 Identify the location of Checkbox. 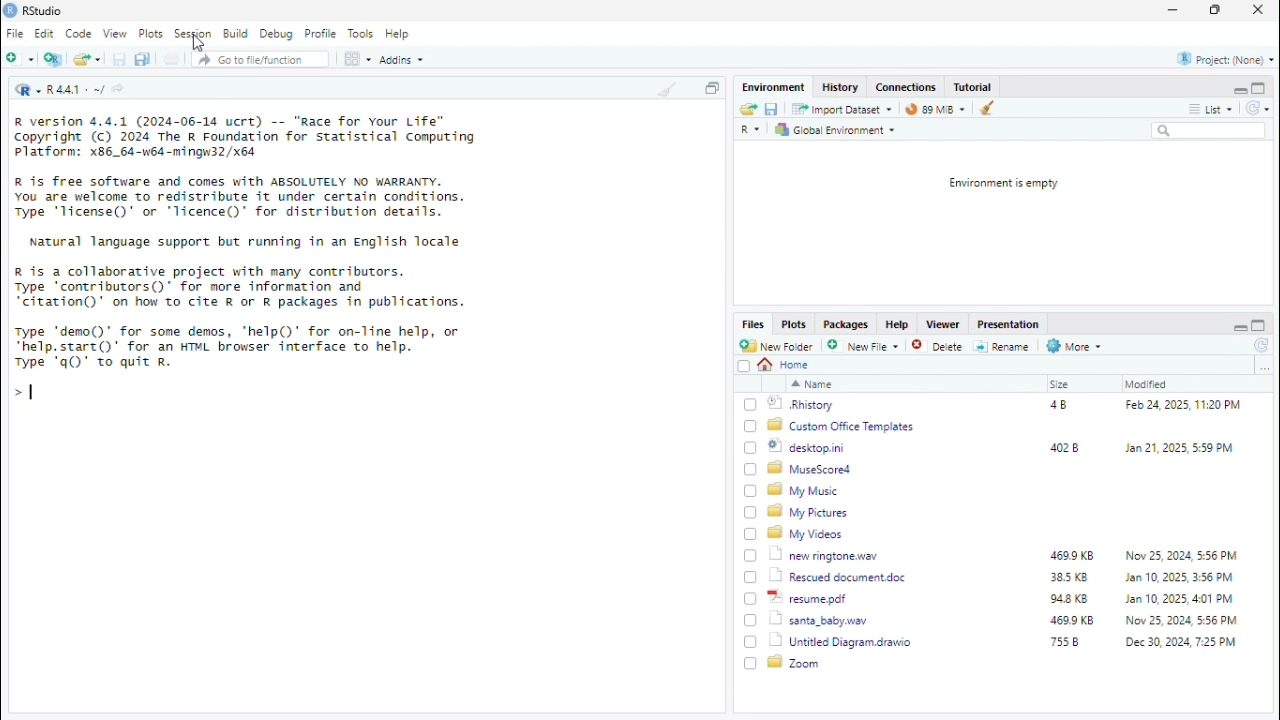
(744, 366).